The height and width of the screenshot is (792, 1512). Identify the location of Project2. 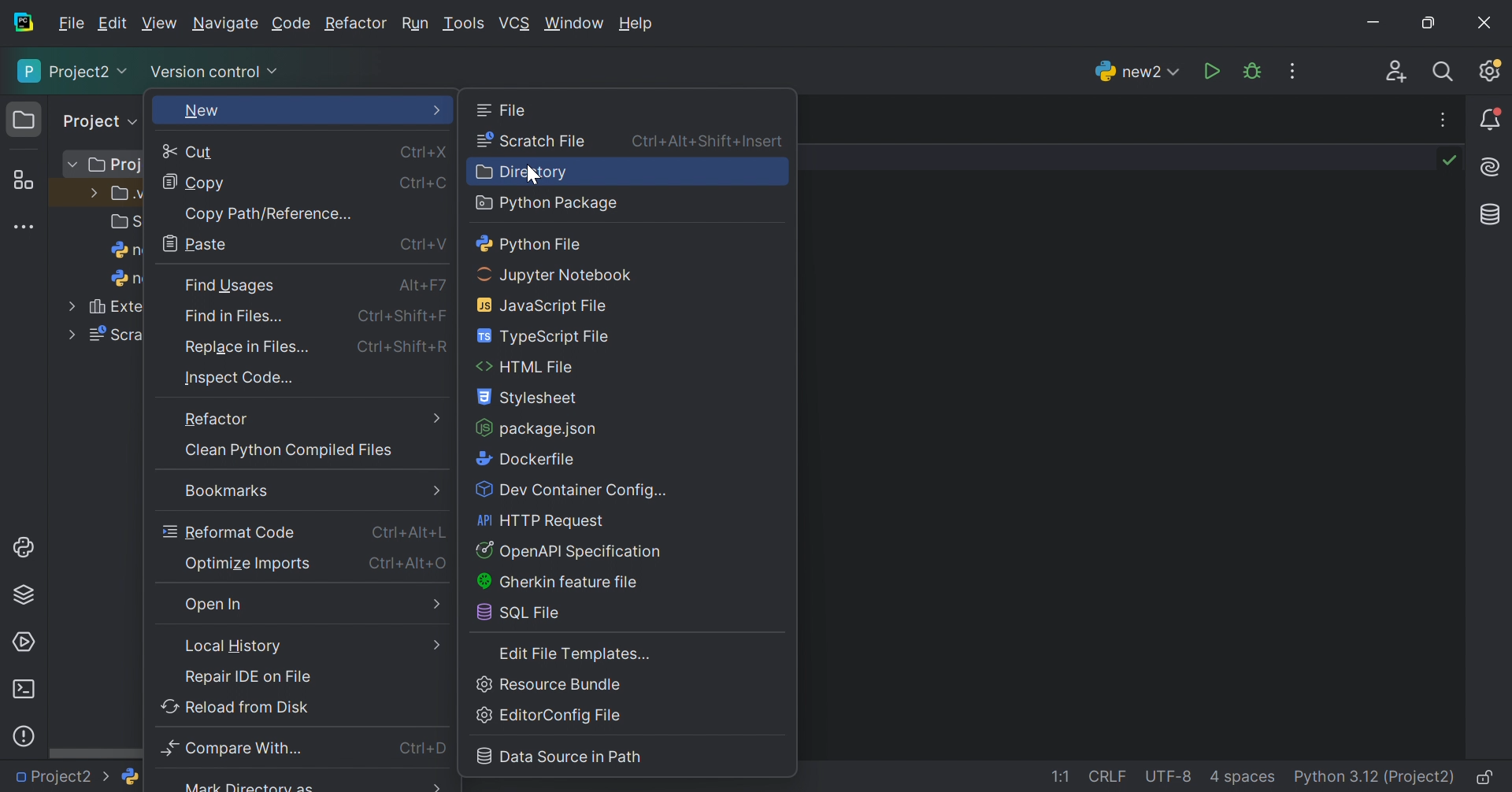
(74, 72).